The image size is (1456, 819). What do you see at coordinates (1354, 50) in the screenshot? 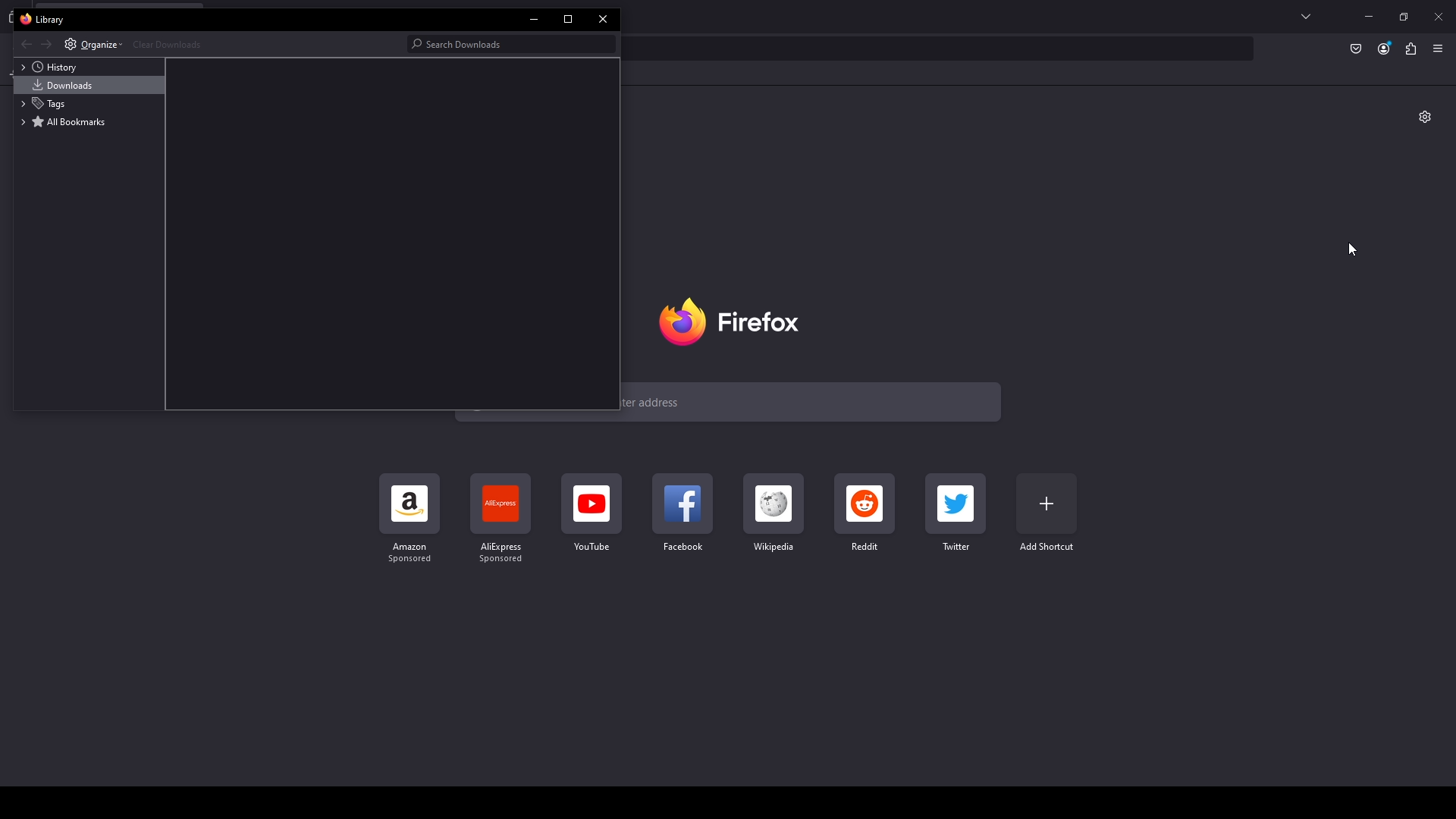
I see `Save to pocket` at bounding box center [1354, 50].